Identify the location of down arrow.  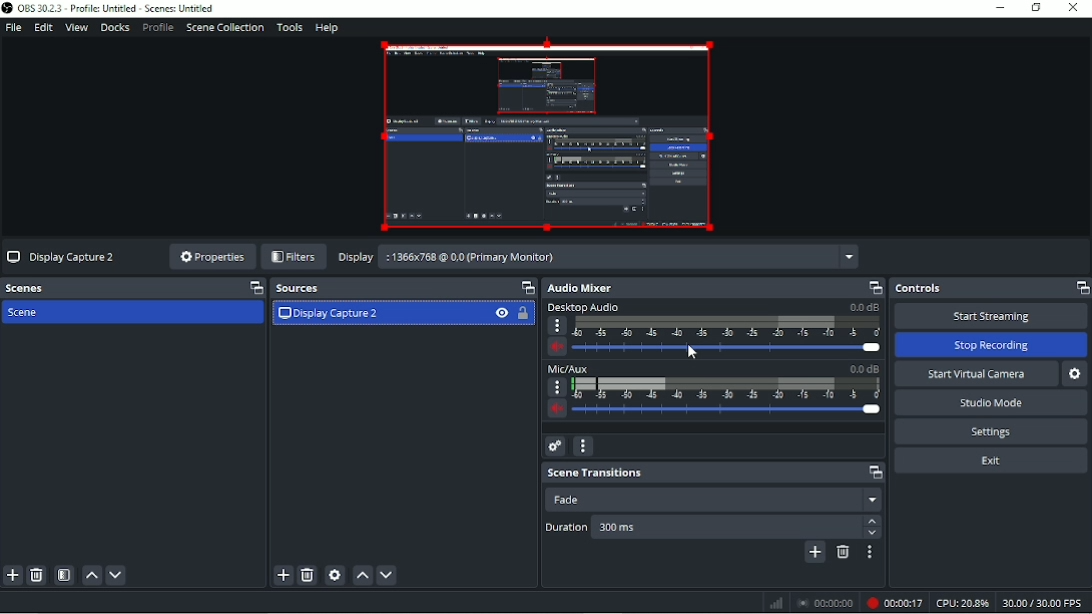
(873, 534).